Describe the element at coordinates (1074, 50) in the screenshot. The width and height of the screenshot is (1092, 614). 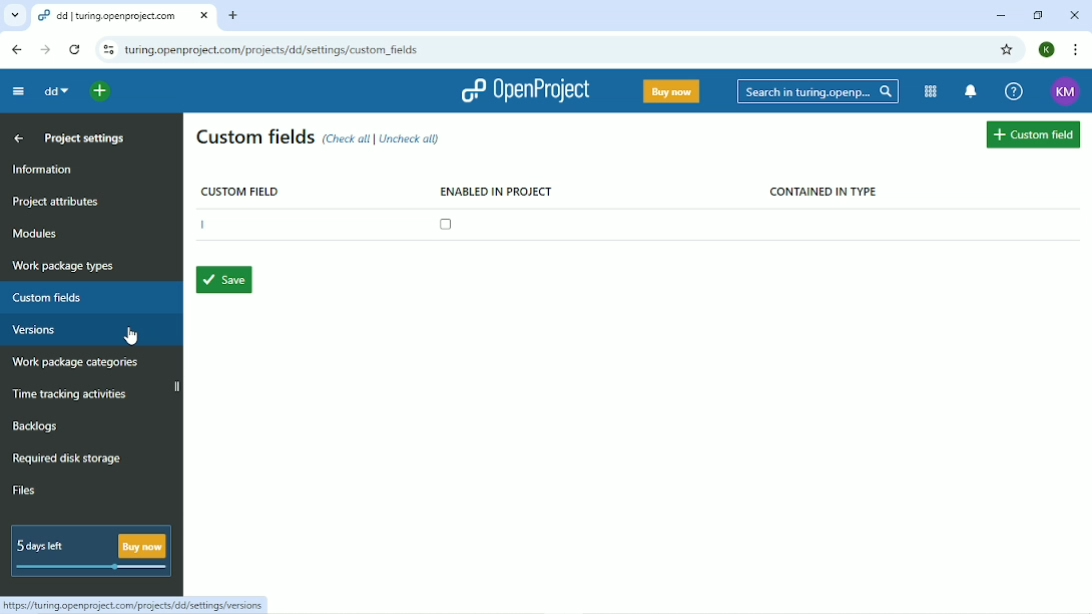
I see `Customize and control google chrome` at that location.